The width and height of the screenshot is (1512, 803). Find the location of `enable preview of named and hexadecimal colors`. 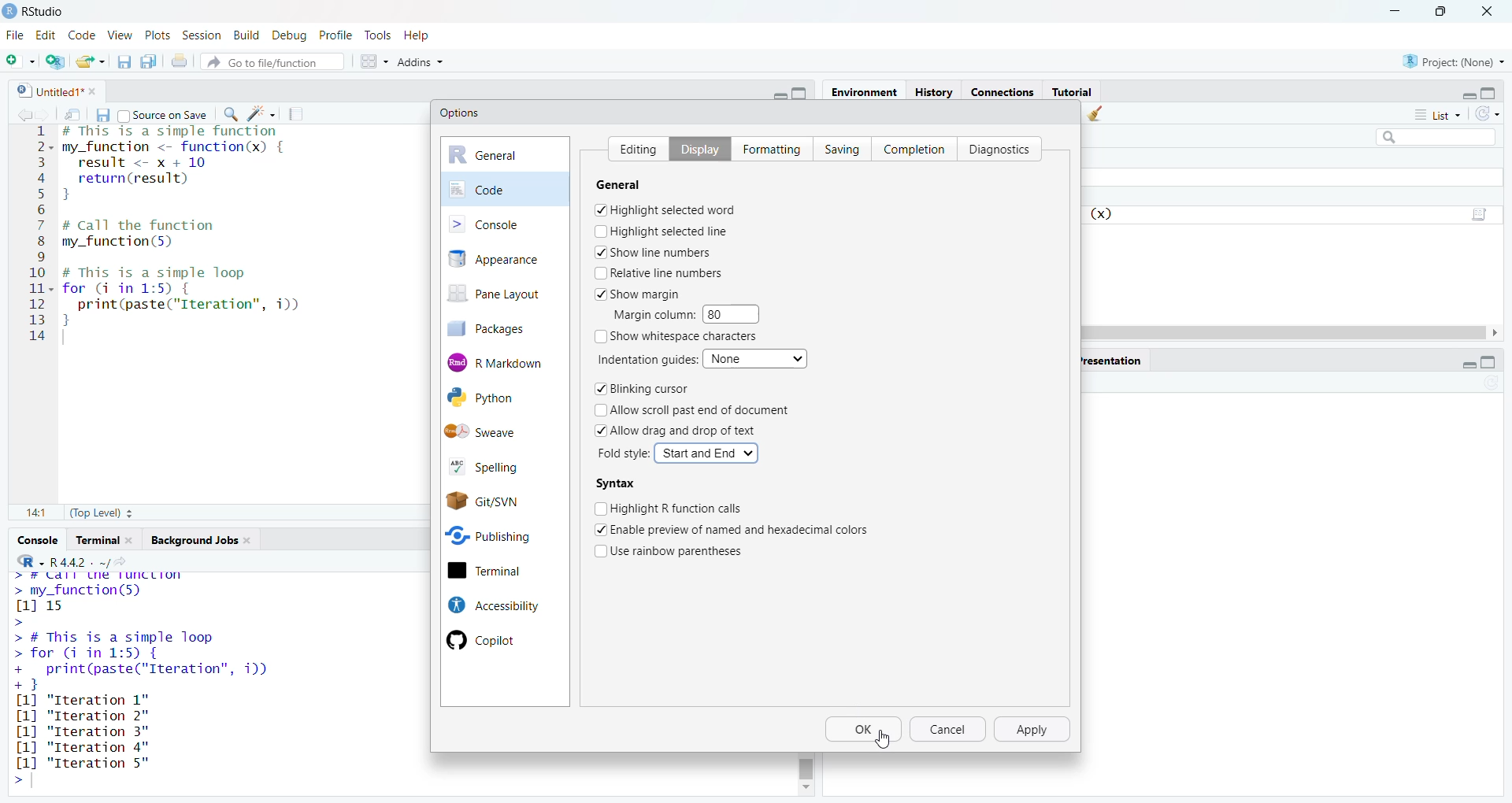

enable preview of named and hexadecimal colors is located at coordinates (743, 528).